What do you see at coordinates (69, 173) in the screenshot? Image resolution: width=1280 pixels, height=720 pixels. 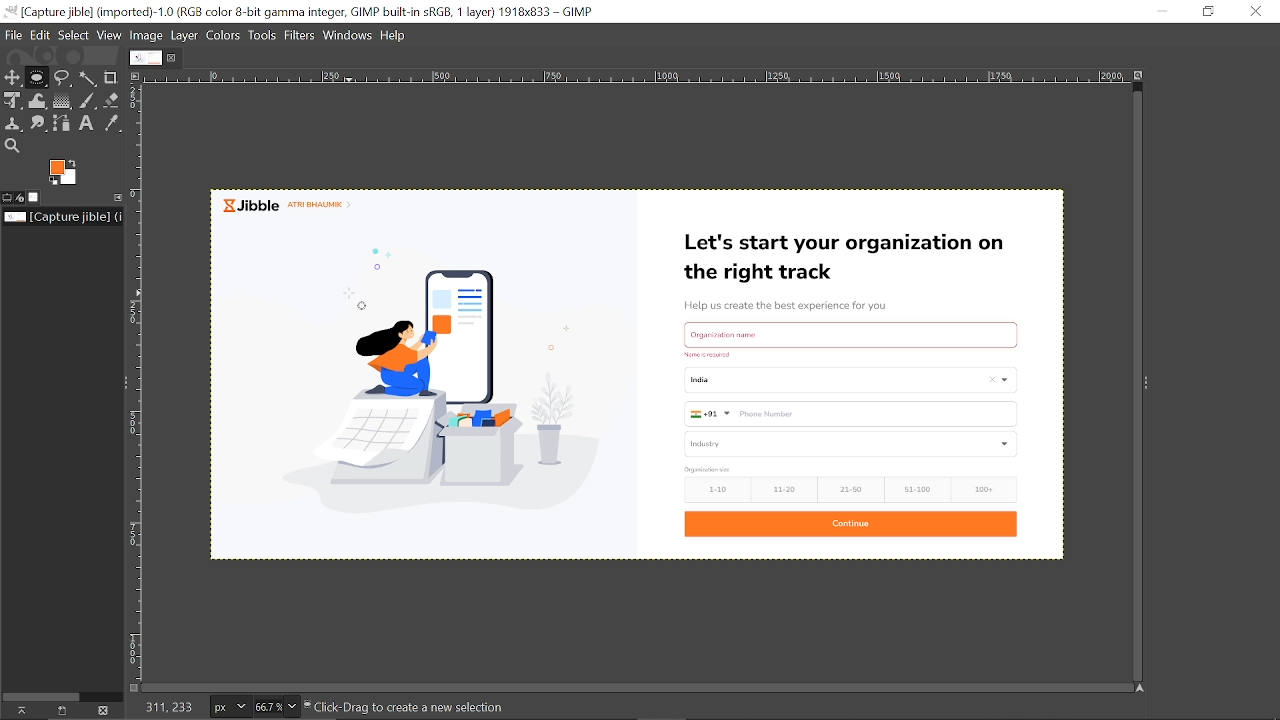 I see `The active background color` at bounding box center [69, 173].